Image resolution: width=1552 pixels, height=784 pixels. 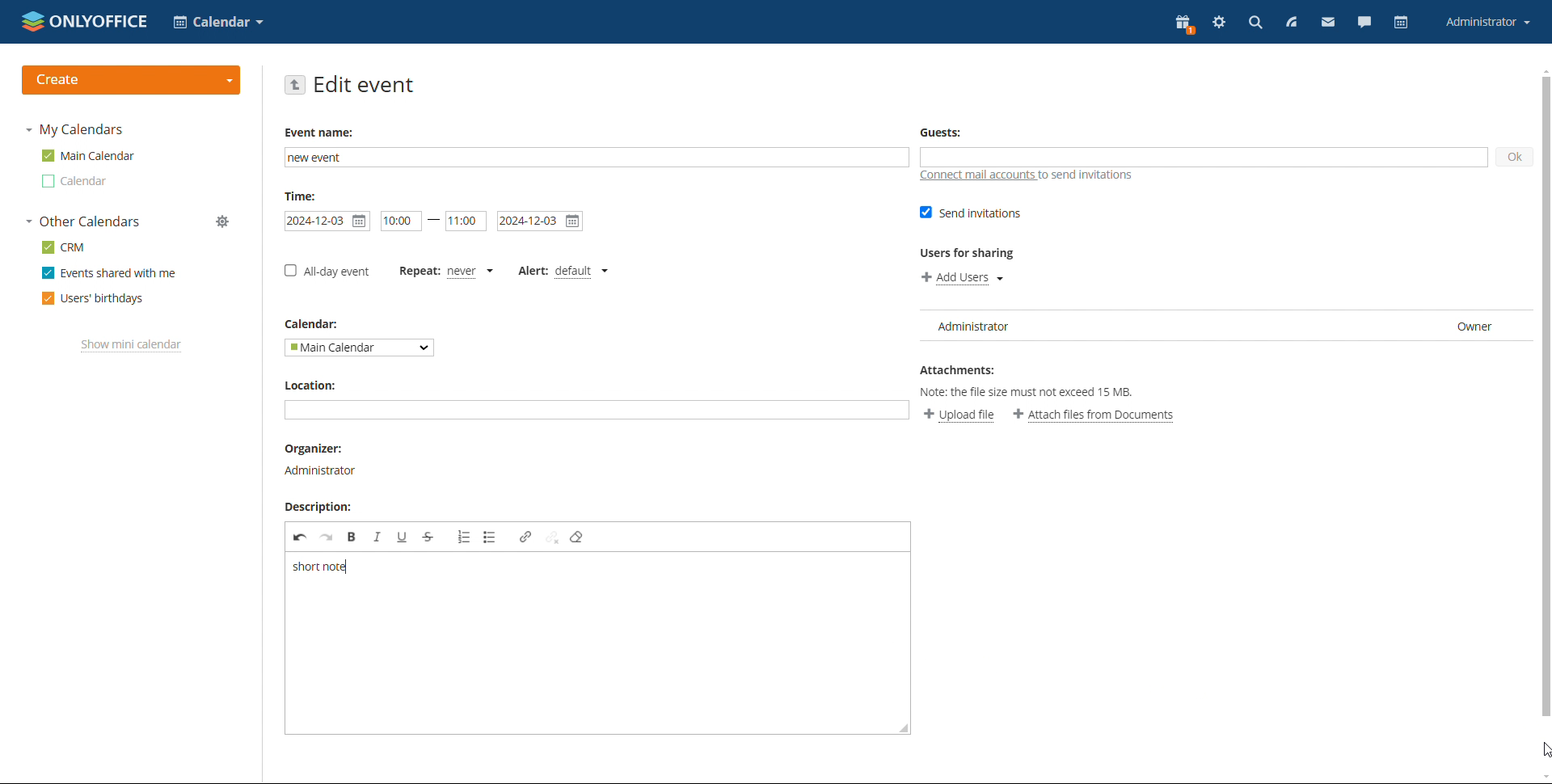 What do you see at coordinates (327, 537) in the screenshot?
I see `redo` at bounding box center [327, 537].